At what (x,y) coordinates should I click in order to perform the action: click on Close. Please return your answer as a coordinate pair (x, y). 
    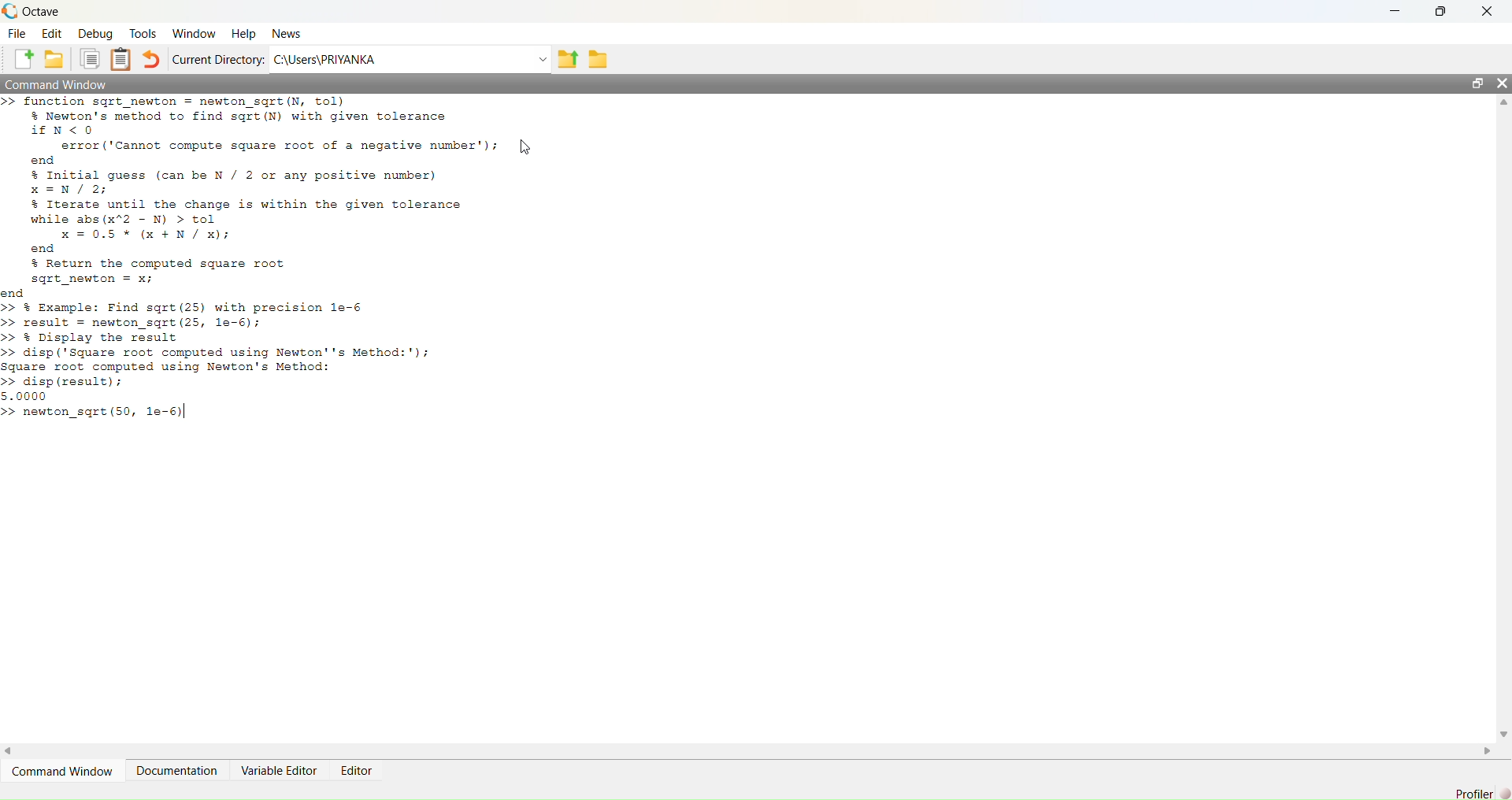
    Looking at the image, I should click on (1499, 85).